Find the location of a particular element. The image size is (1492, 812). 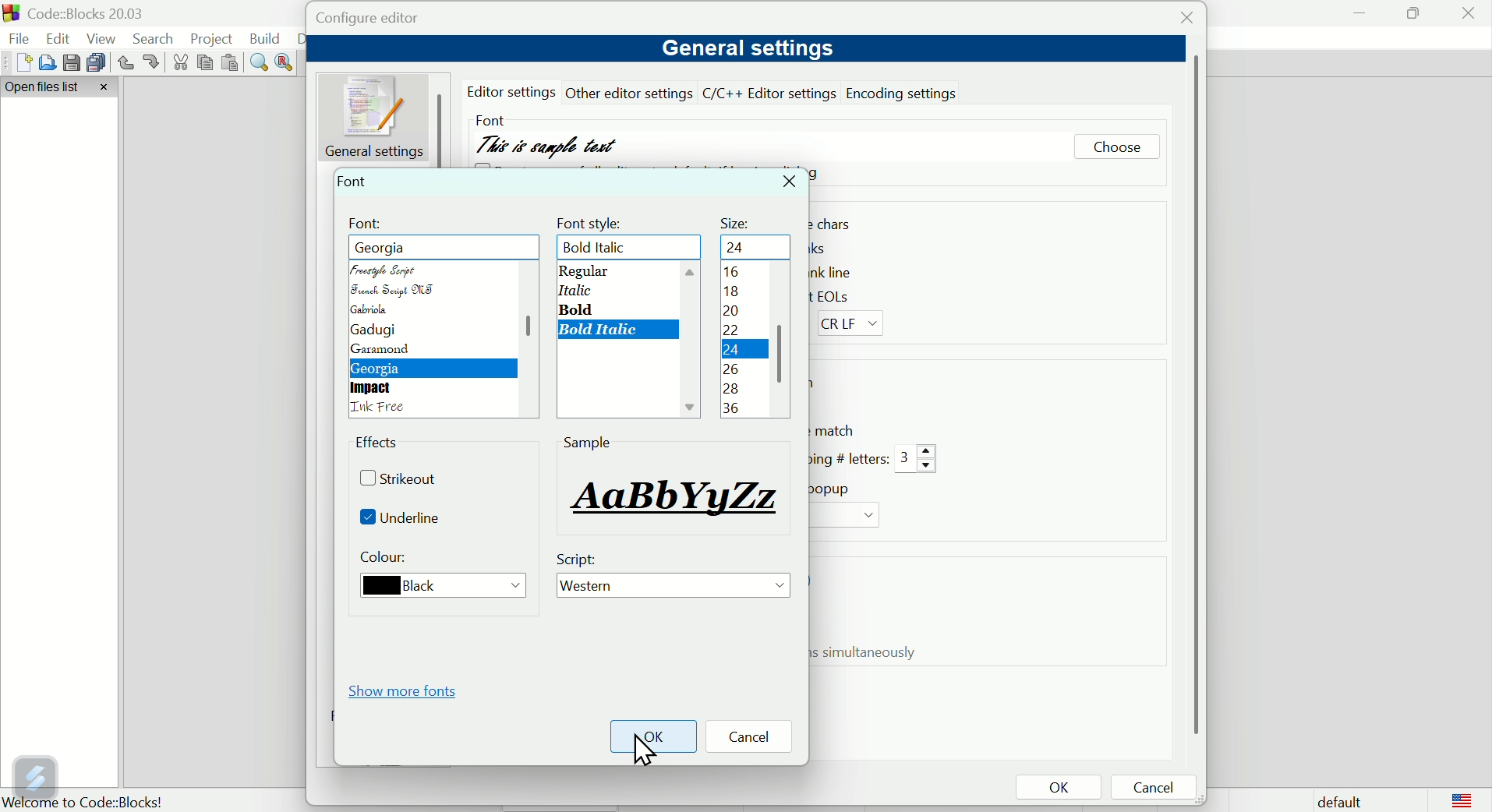

Search is located at coordinates (157, 39).